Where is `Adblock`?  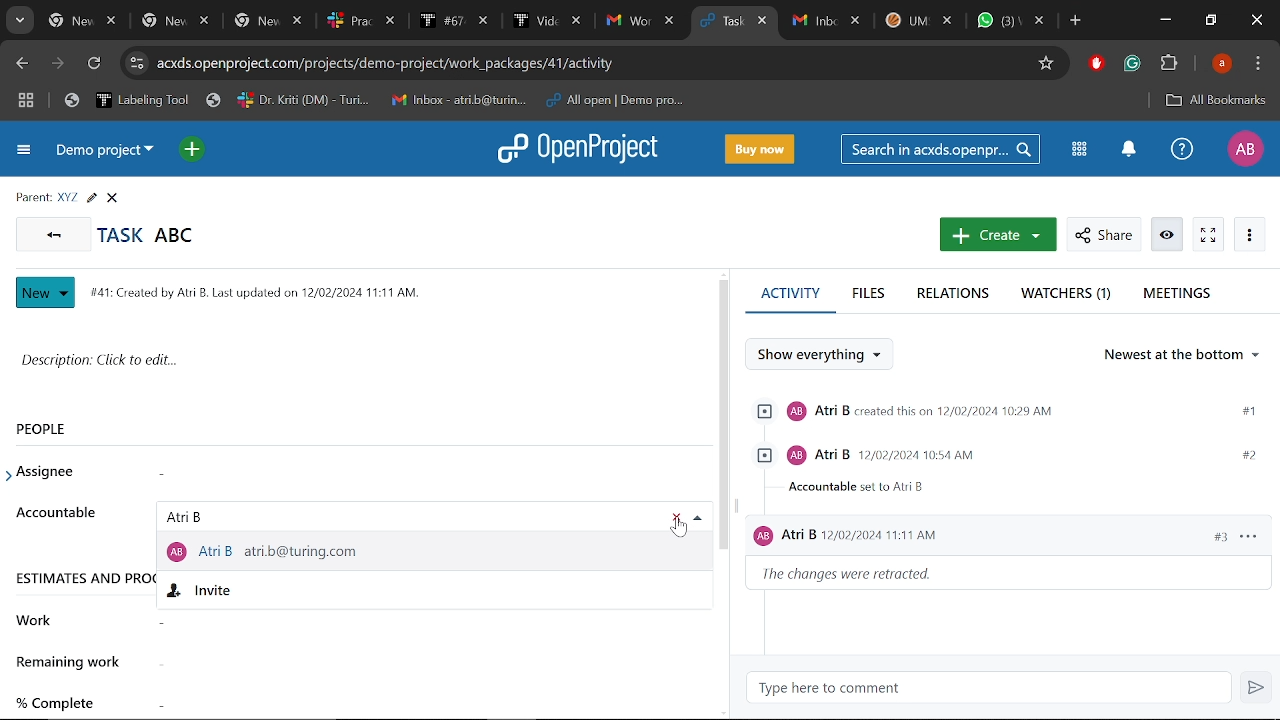
Adblock is located at coordinates (1095, 65).